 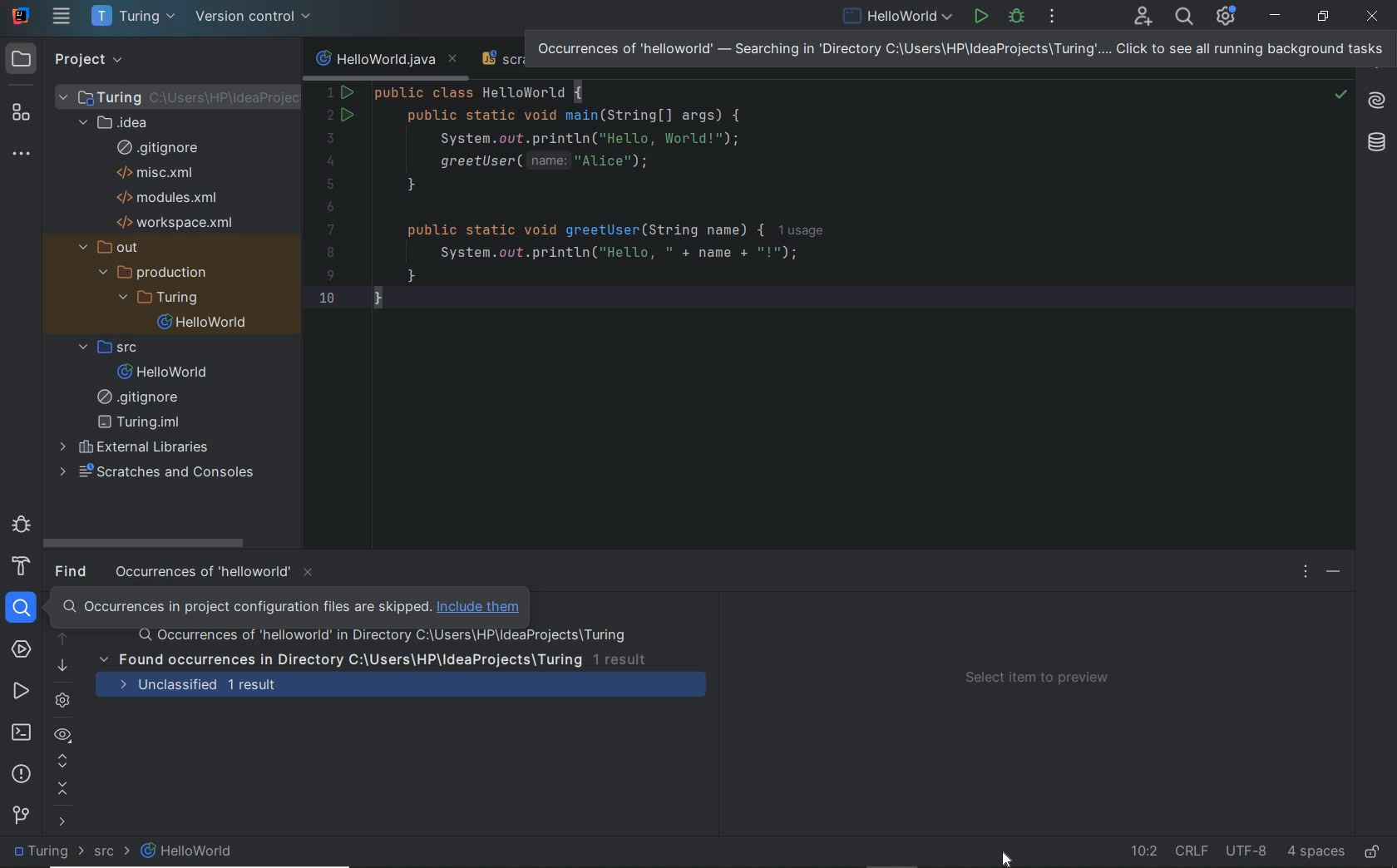 I want to click on Database, so click(x=1378, y=142).